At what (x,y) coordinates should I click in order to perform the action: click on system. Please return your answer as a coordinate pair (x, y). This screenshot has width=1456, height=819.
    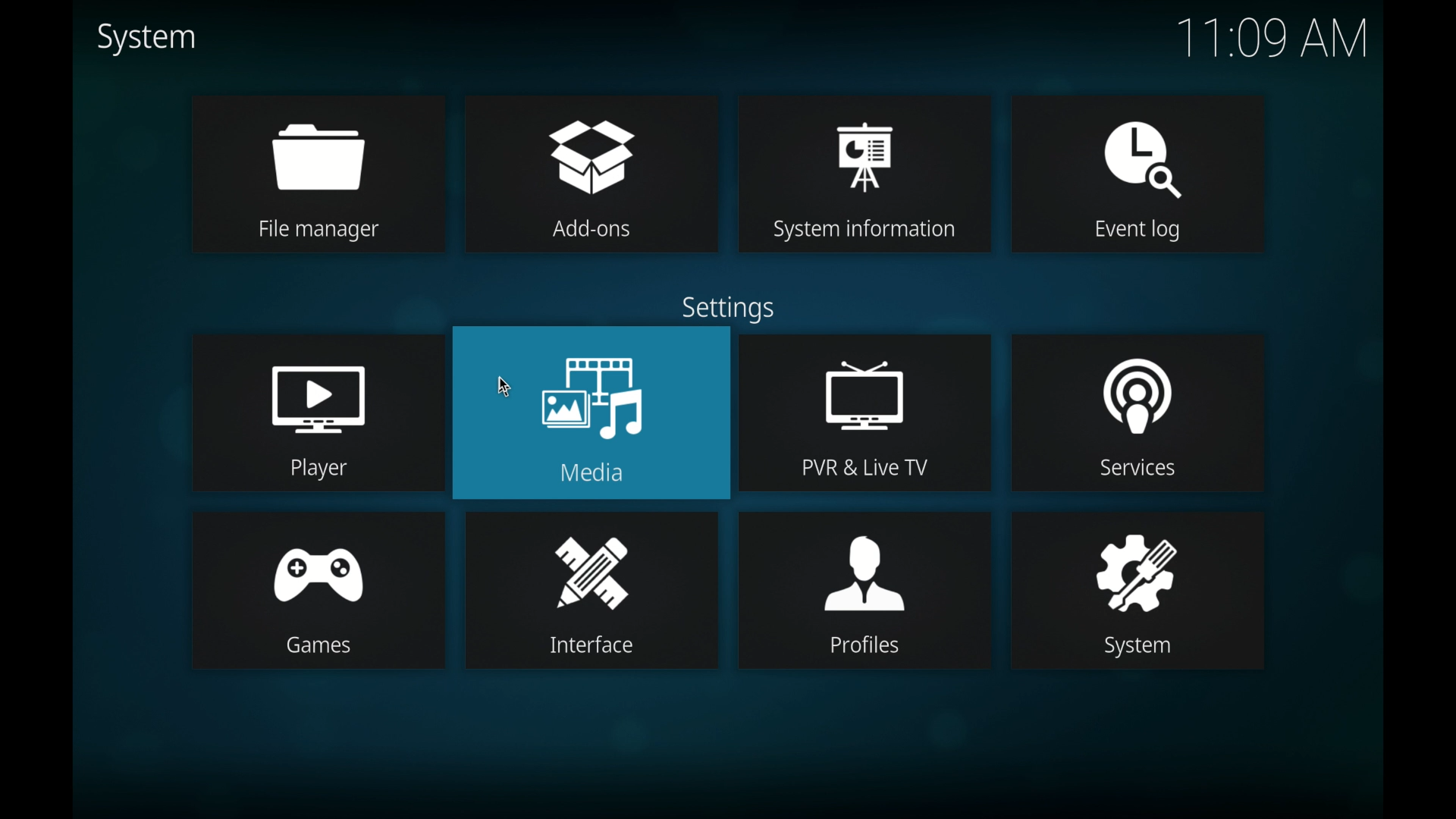
    Looking at the image, I should click on (146, 39).